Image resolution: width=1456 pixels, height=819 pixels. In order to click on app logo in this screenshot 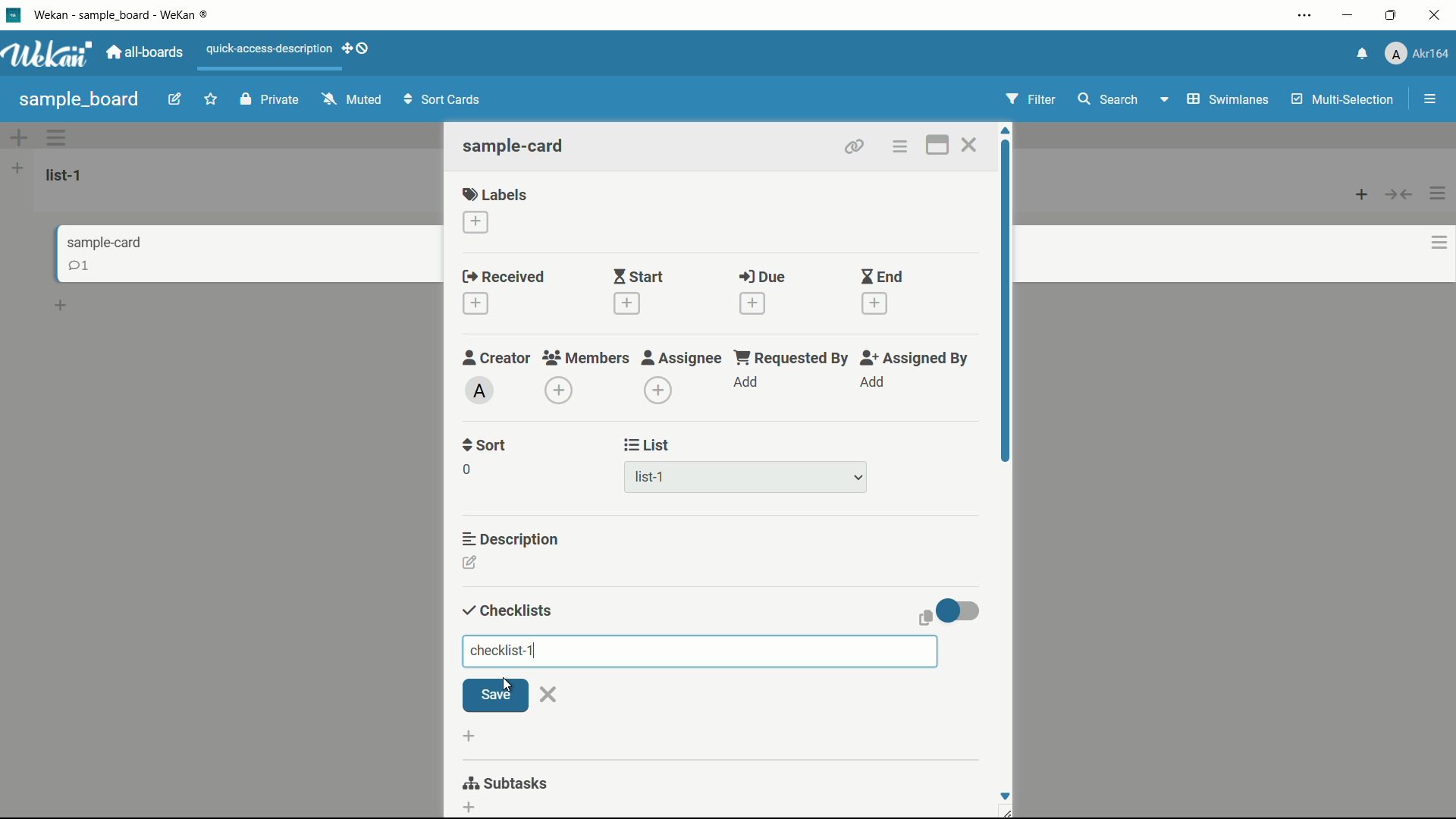, I will do `click(51, 55)`.